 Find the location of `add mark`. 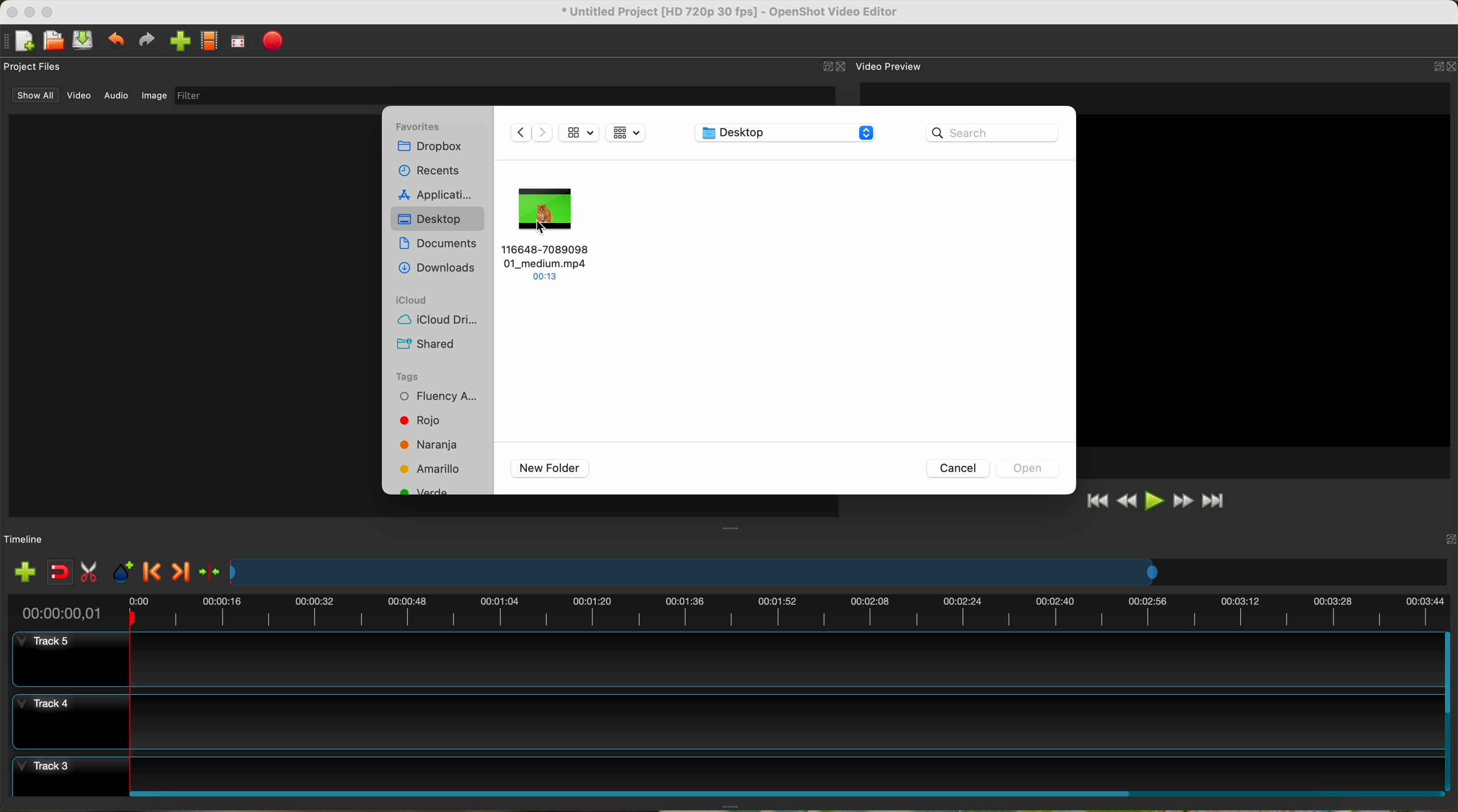

add mark is located at coordinates (123, 572).